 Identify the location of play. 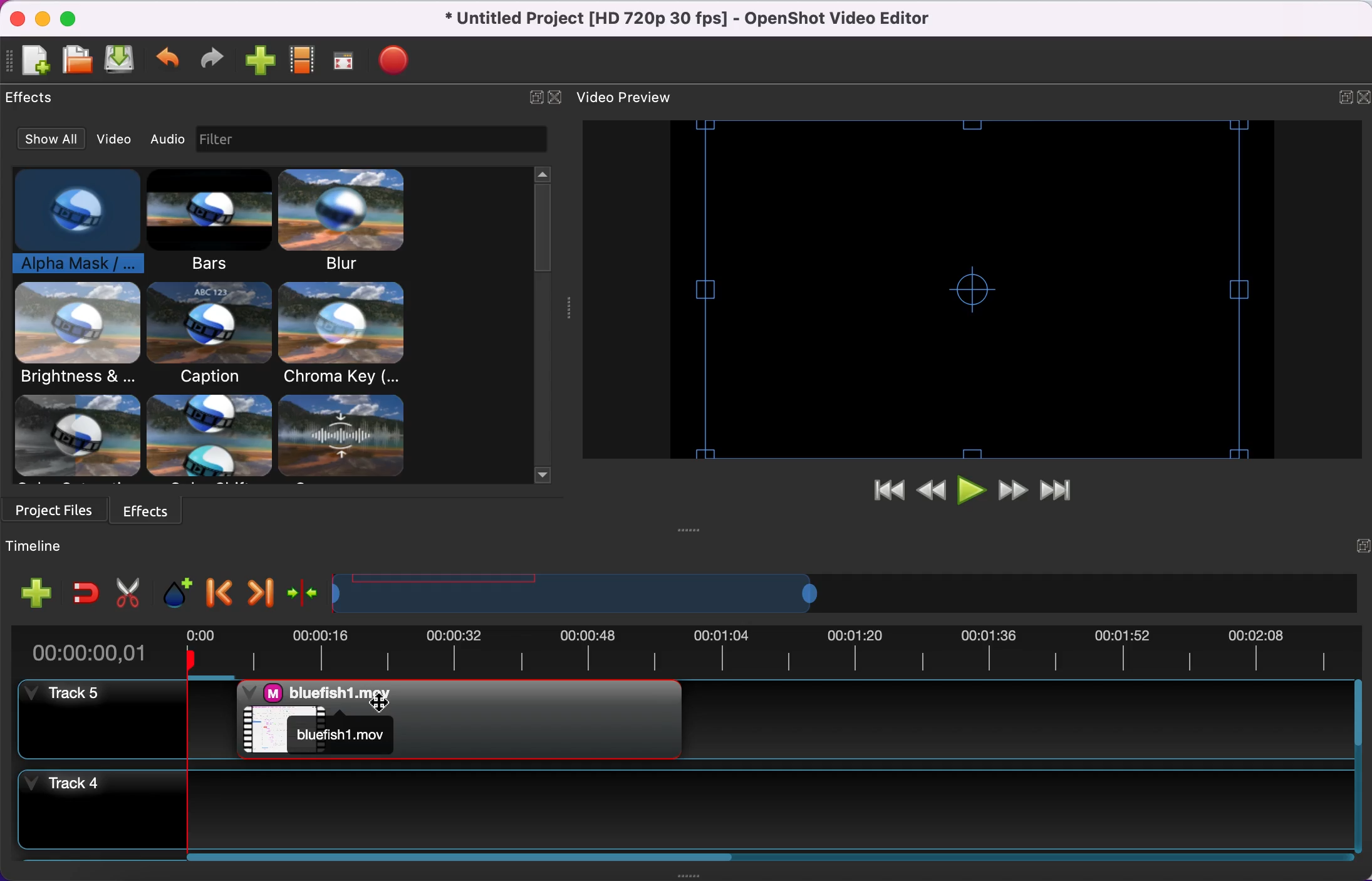
(972, 491).